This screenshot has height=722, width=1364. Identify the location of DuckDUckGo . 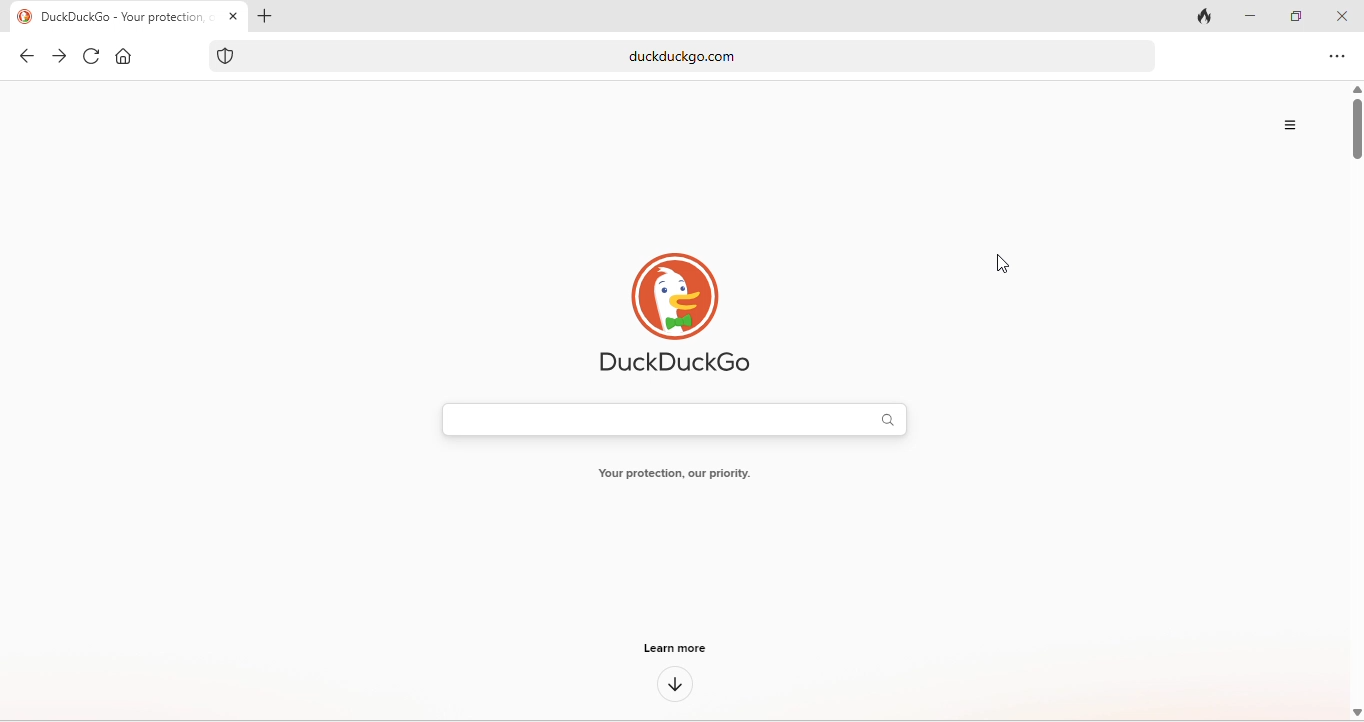
(120, 17).